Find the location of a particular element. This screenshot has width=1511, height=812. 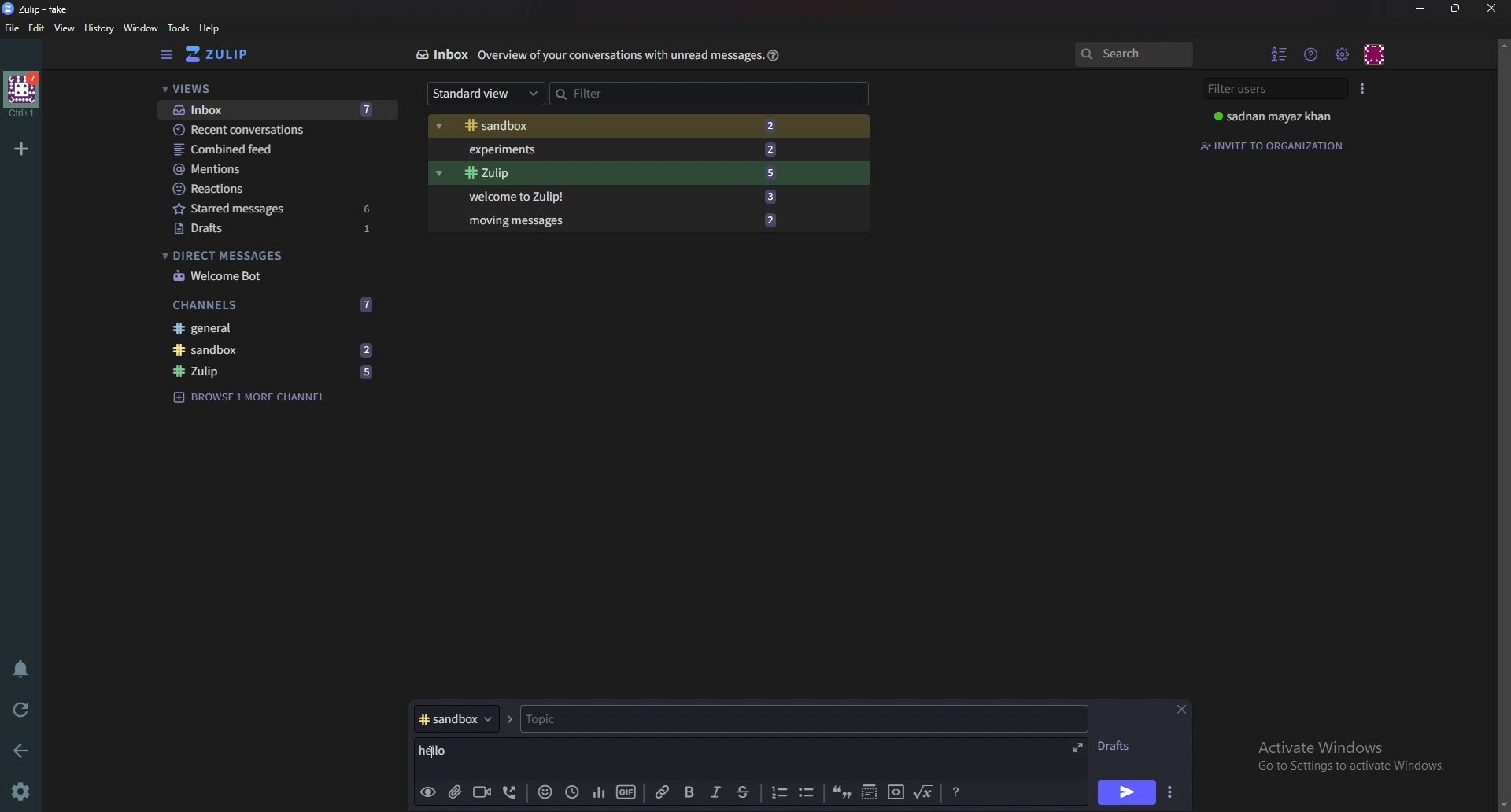

Italic is located at coordinates (716, 794).